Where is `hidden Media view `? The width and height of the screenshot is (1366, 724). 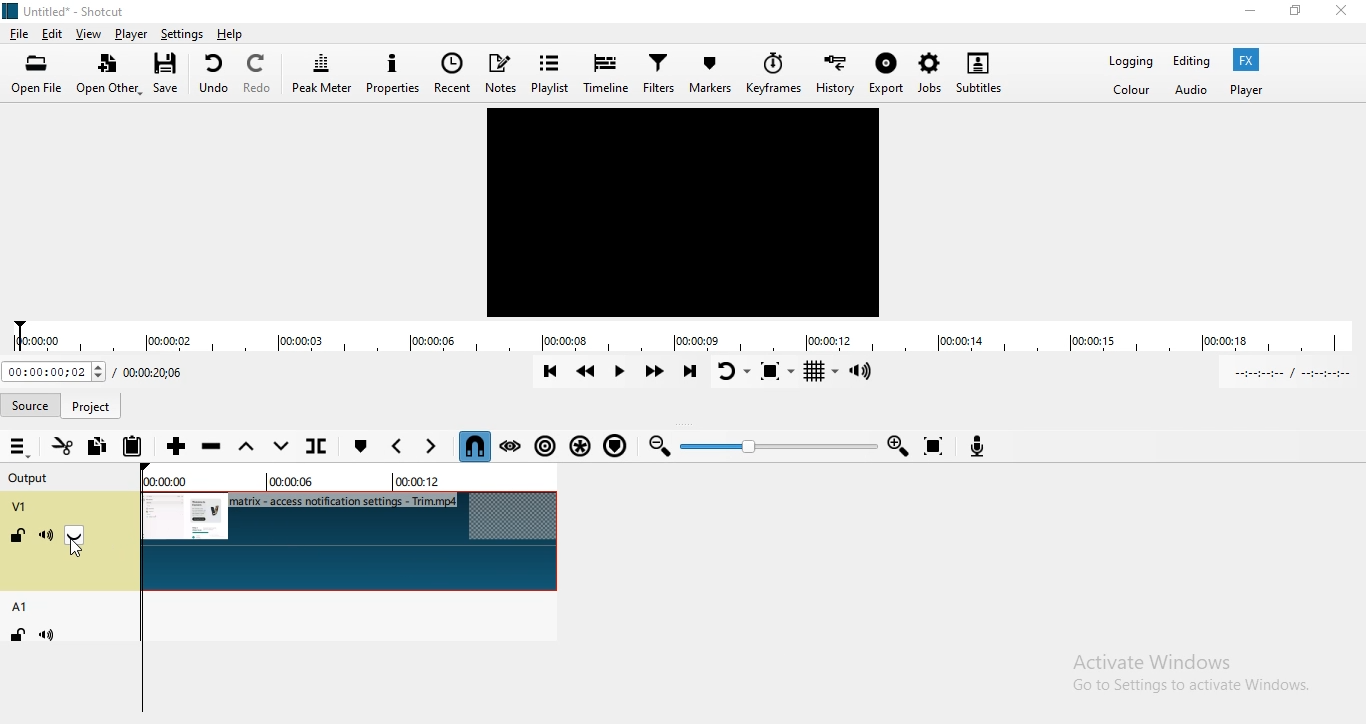
hidden Media view  is located at coordinates (686, 213).